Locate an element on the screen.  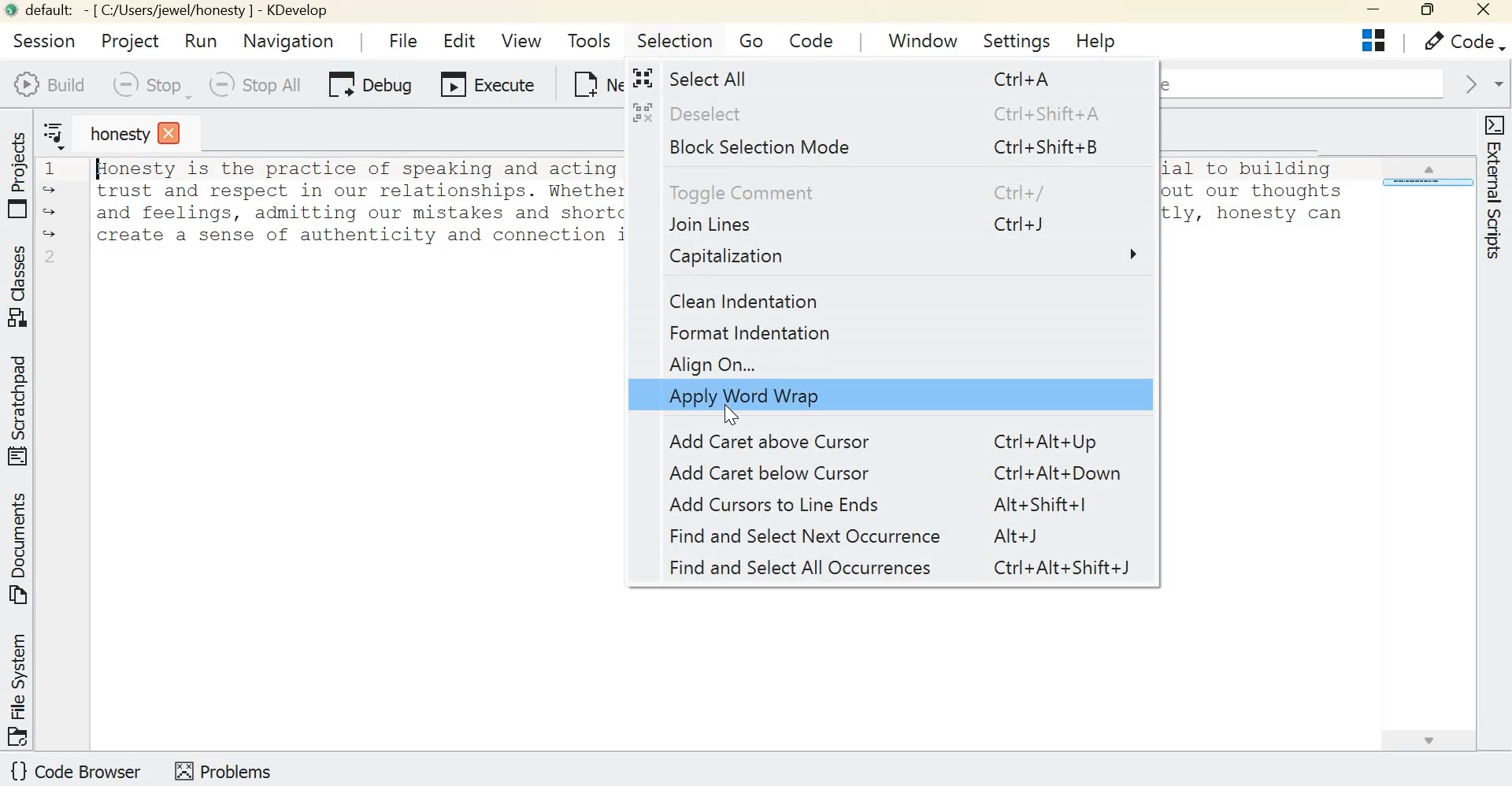
Code is located at coordinates (1458, 42).